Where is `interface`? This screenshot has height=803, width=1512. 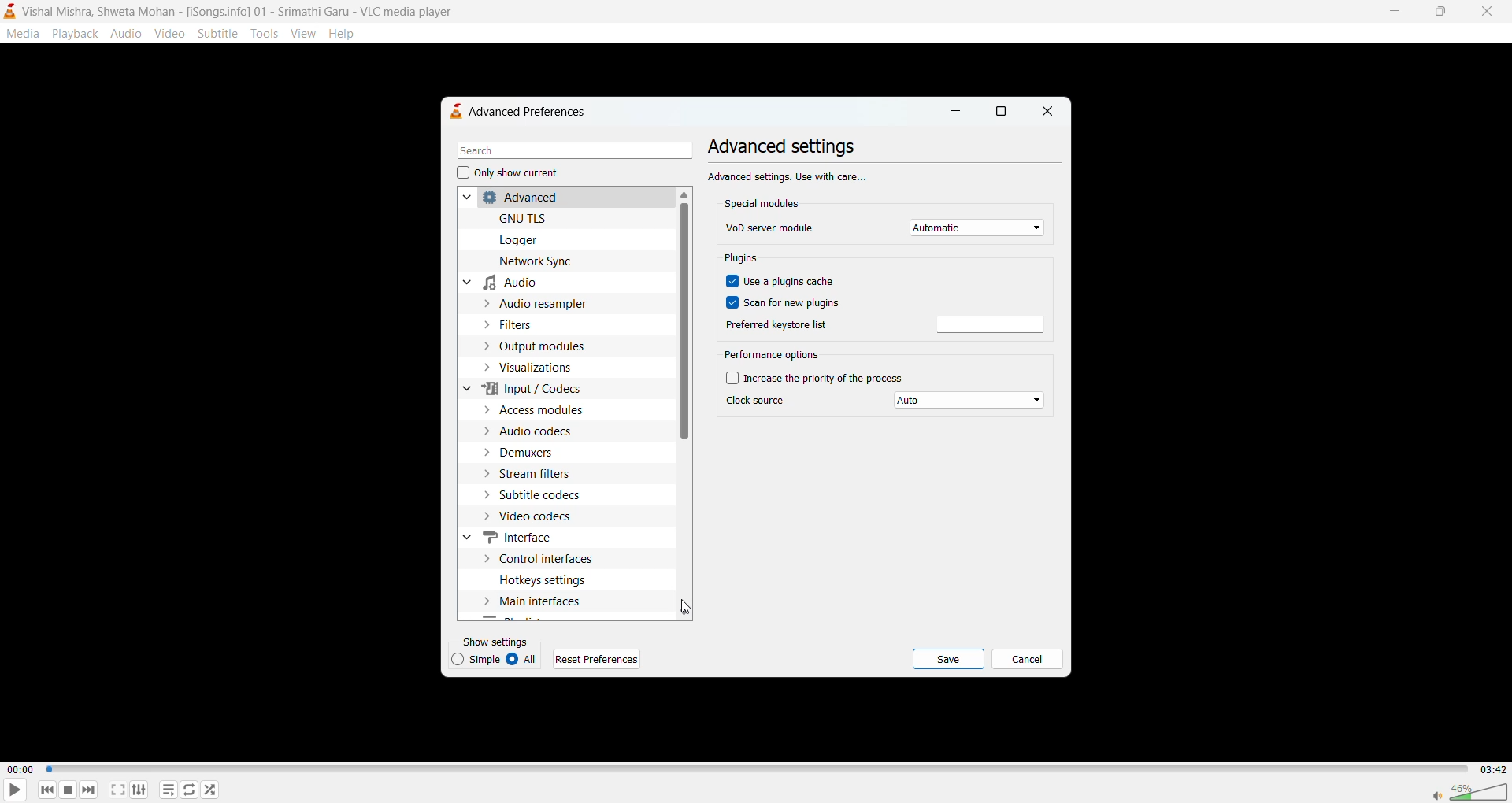
interface is located at coordinates (520, 537).